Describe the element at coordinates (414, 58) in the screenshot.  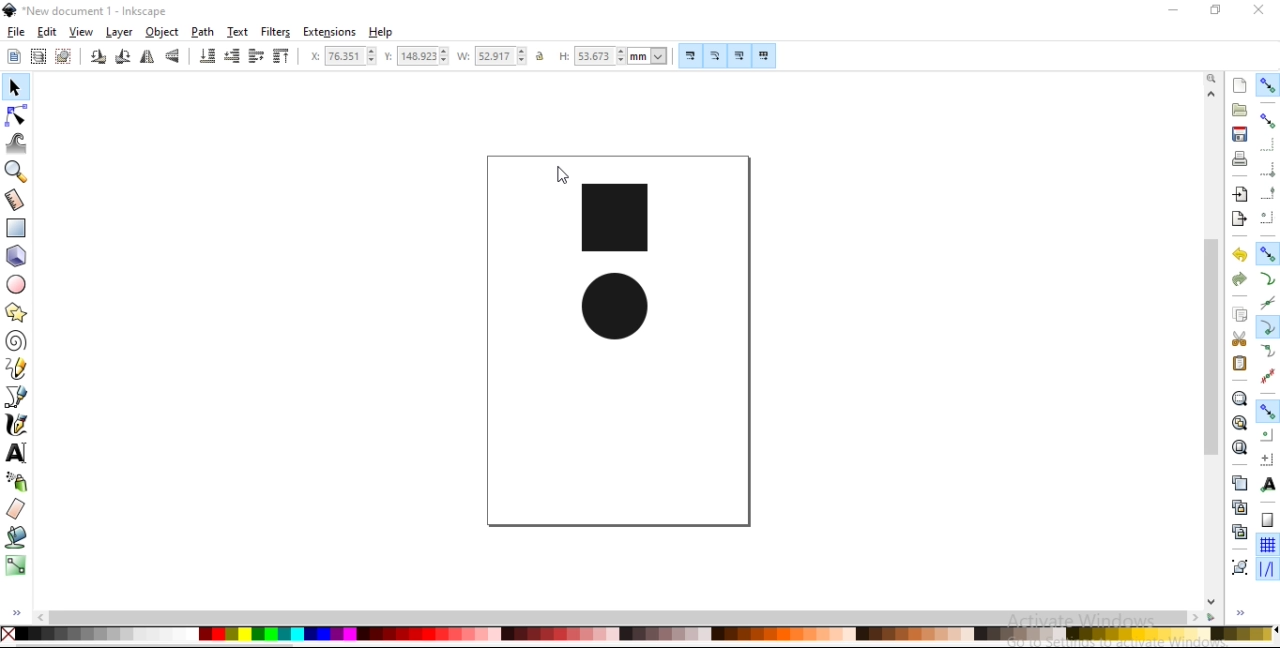
I see `vertical coordinate of selection` at that location.